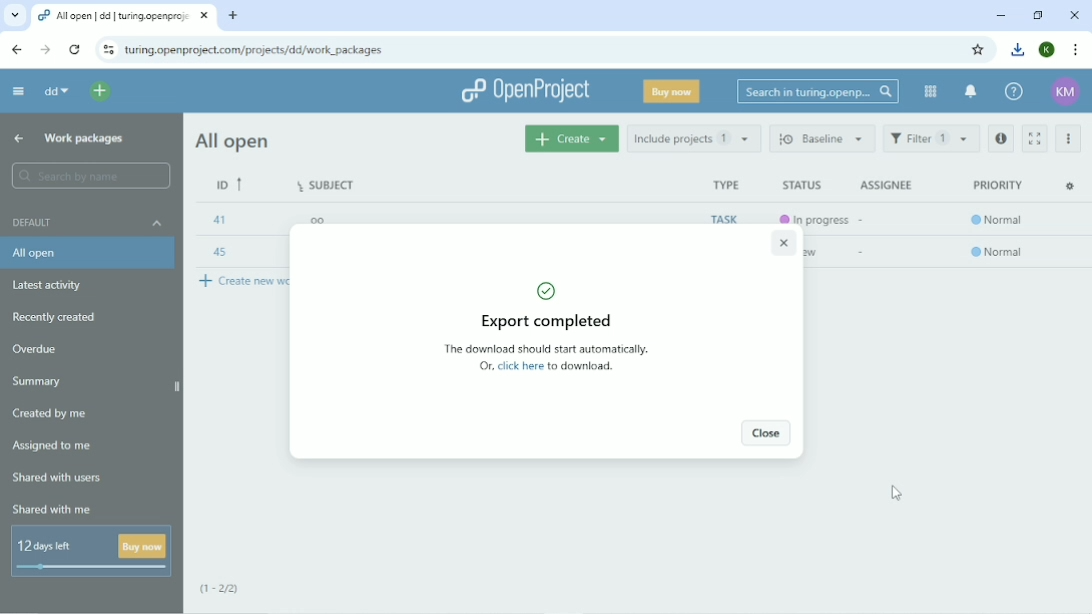 Image resolution: width=1092 pixels, height=614 pixels. What do you see at coordinates (999, 222) in the screenshot?
I see `Normal` at bounding box center [999, 222].